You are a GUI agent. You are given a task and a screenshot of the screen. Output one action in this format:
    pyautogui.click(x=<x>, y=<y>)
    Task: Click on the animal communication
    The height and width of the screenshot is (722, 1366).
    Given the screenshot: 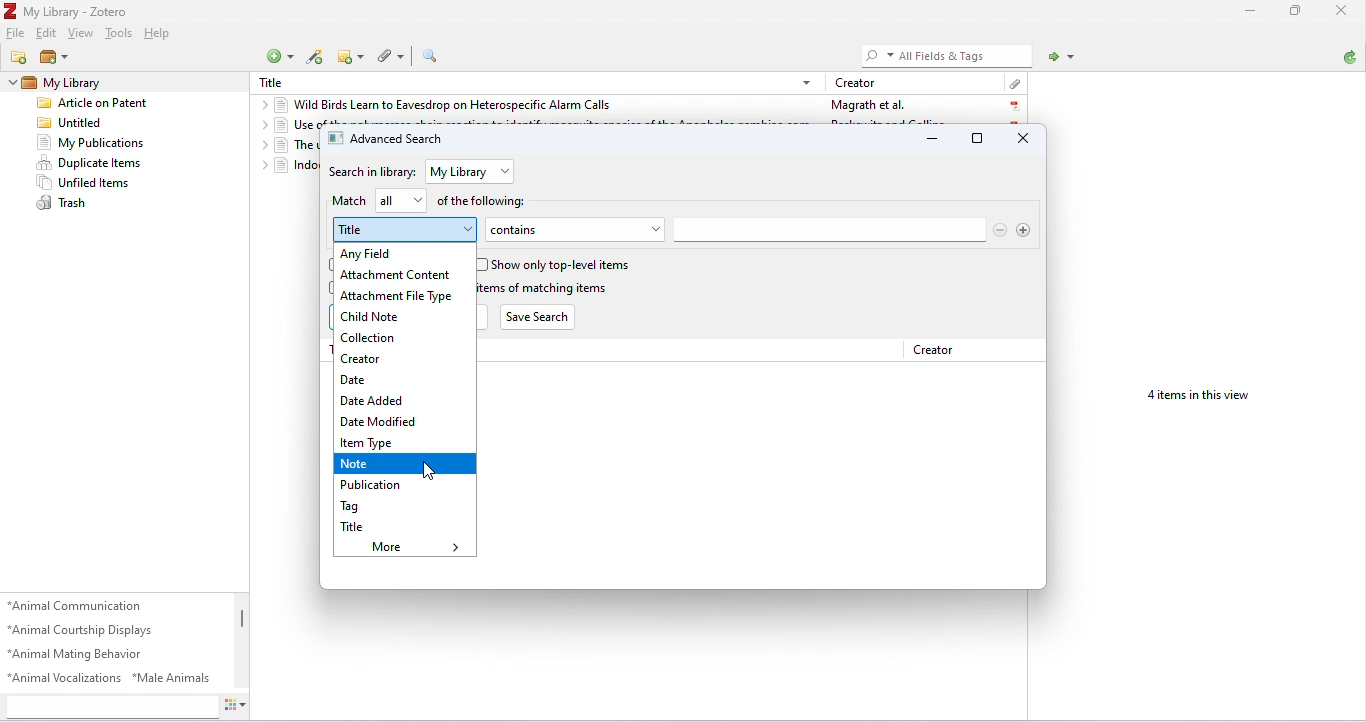 What is the action you would take?
    pyautogui.click(x=77, y=605)
    